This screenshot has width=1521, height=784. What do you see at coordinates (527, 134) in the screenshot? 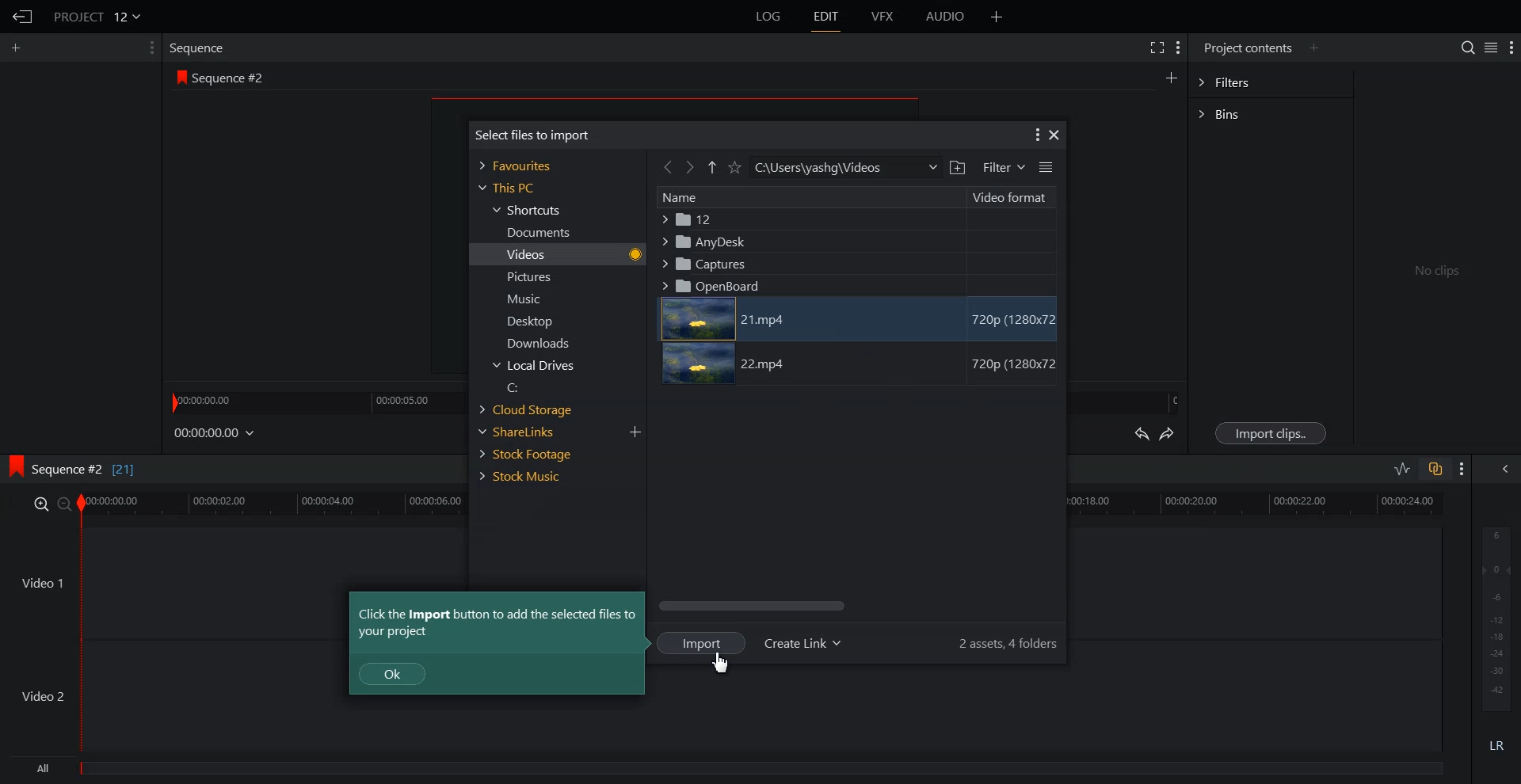
I see `Select files to import` at bounding box center [527, 134].